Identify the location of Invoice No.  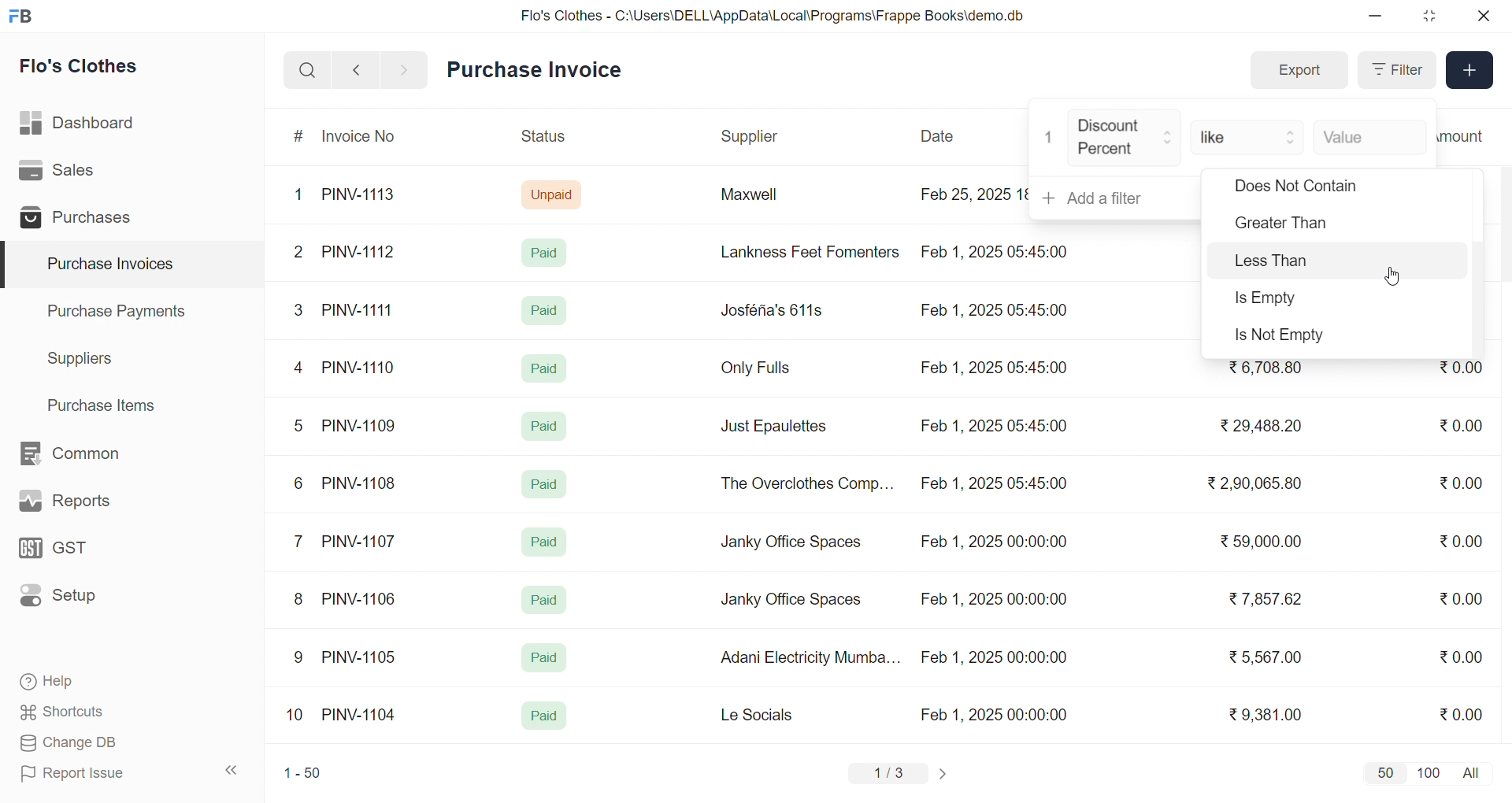
(365, 137).